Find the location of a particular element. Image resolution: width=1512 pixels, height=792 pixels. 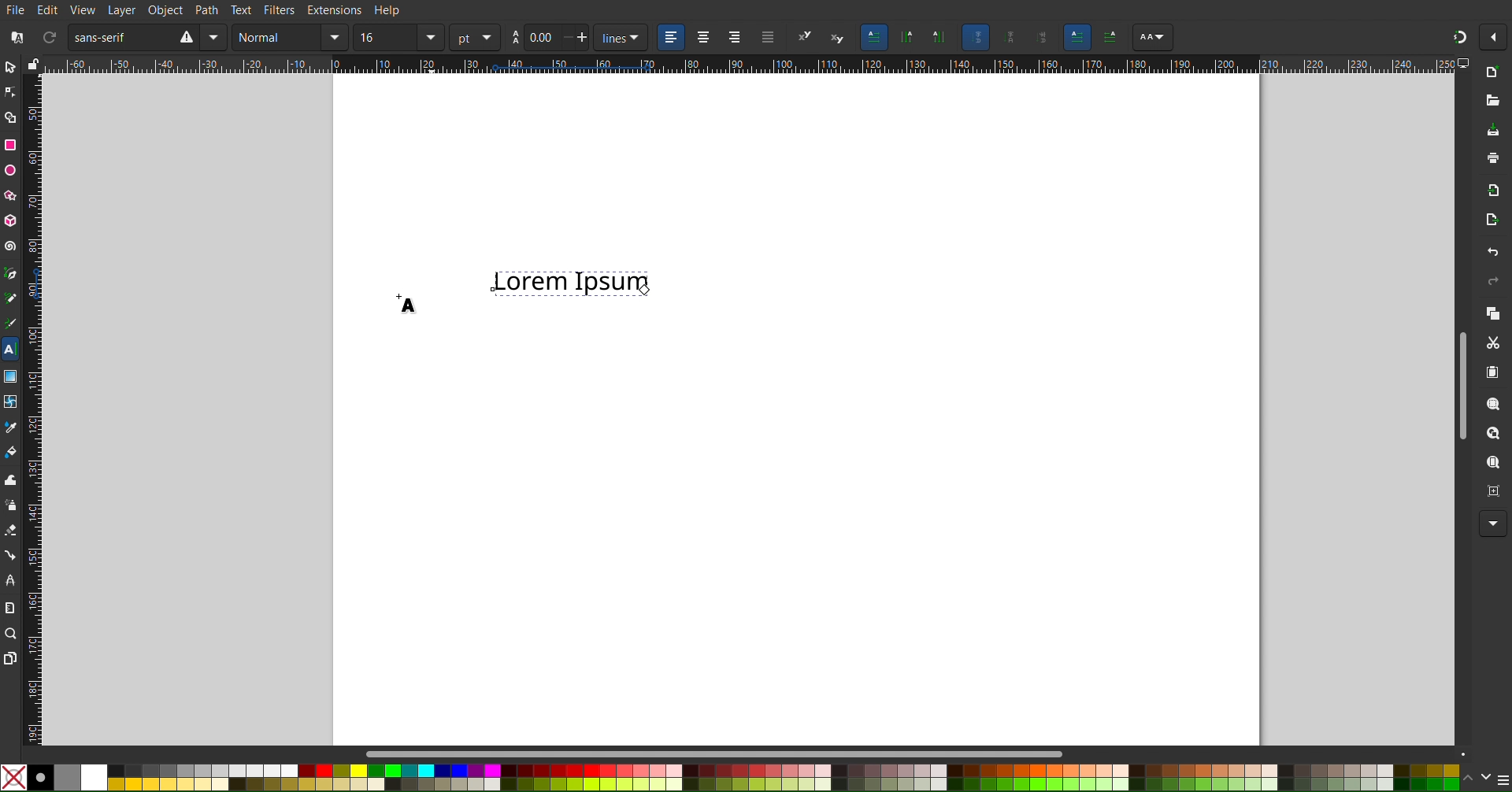

Edit is located at coordinates (49, 9).